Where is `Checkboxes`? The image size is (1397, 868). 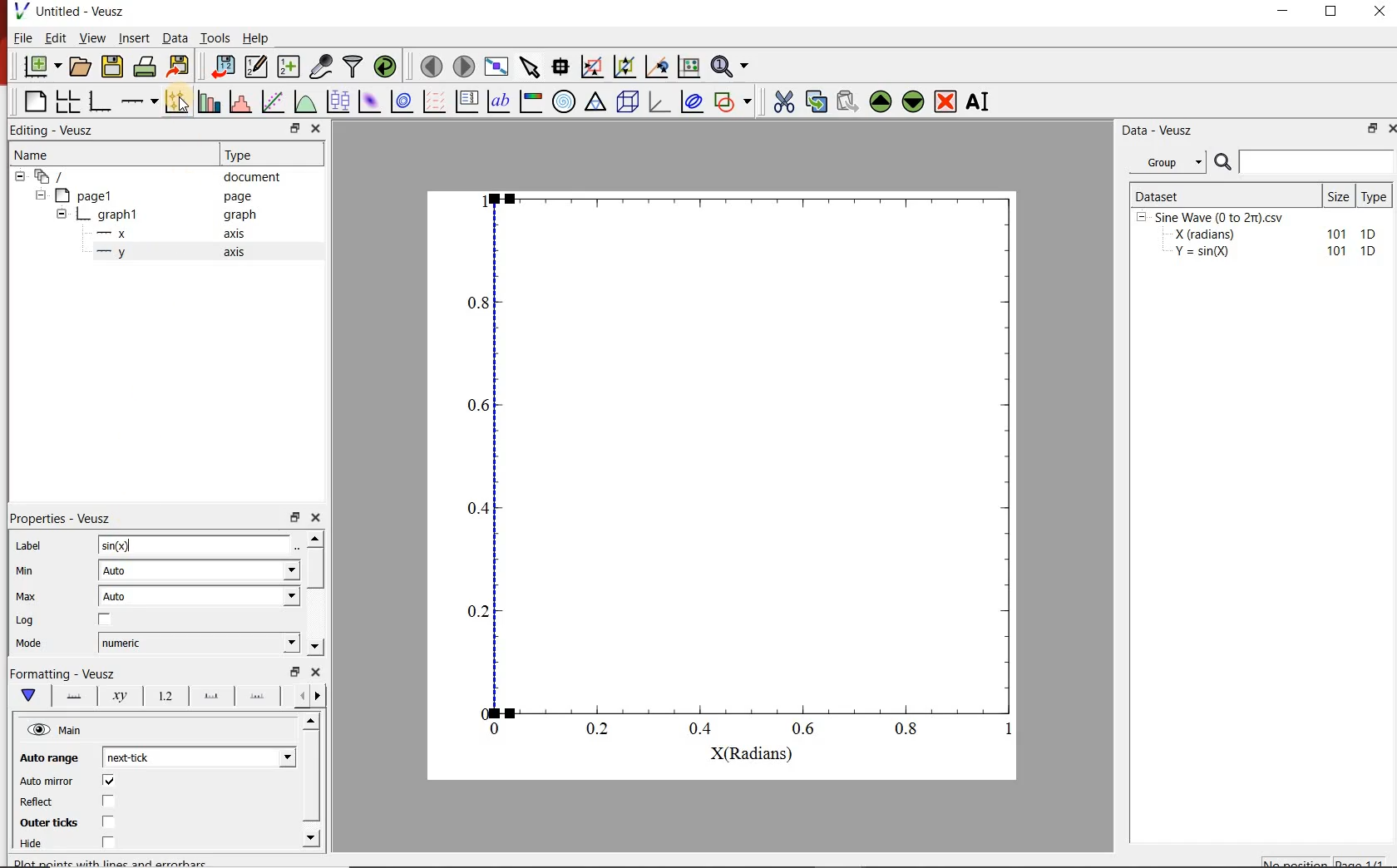 Checkboxes is located at coordinates (105, 812).